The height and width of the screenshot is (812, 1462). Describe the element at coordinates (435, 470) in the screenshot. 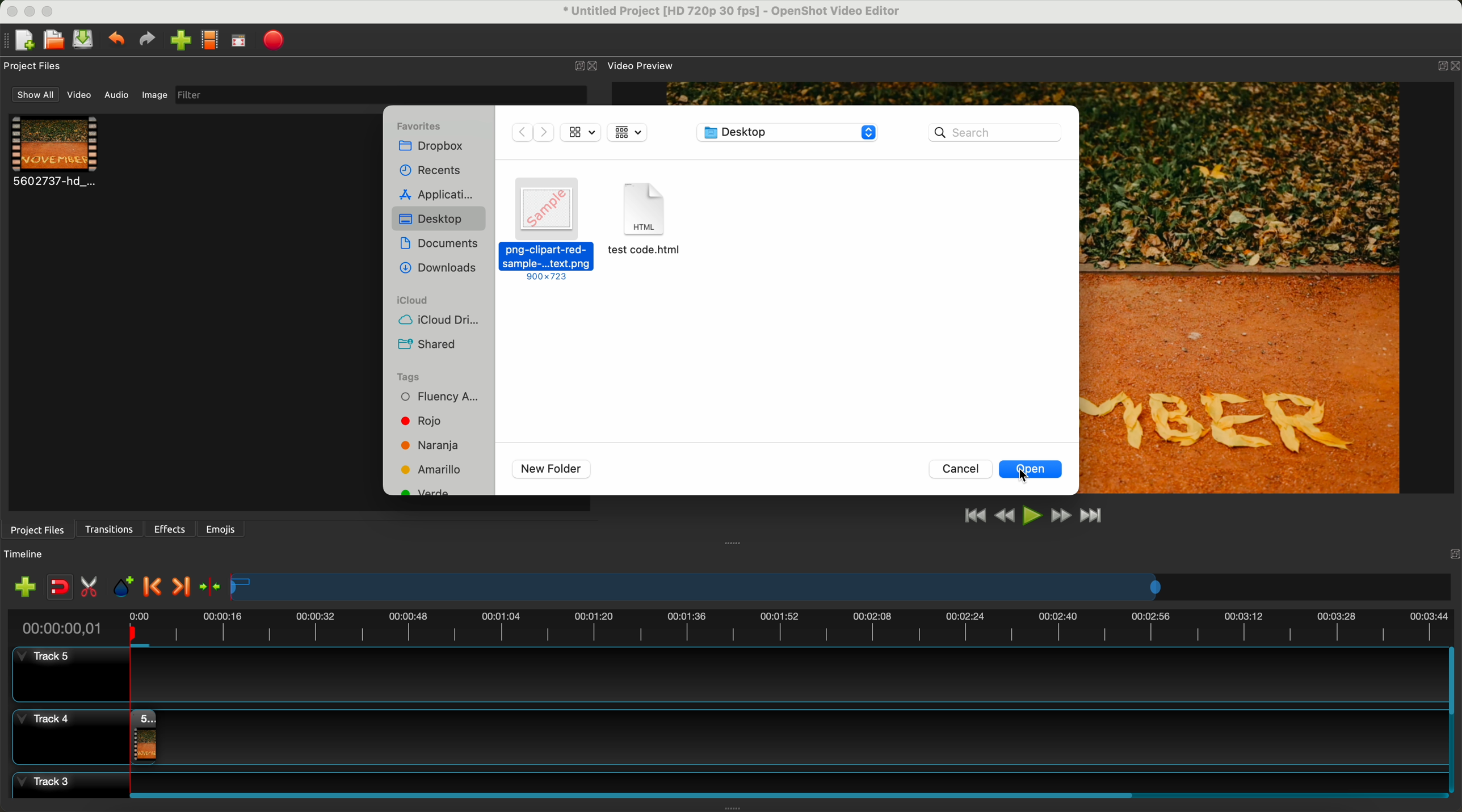

I see `Amarilo` at that location.